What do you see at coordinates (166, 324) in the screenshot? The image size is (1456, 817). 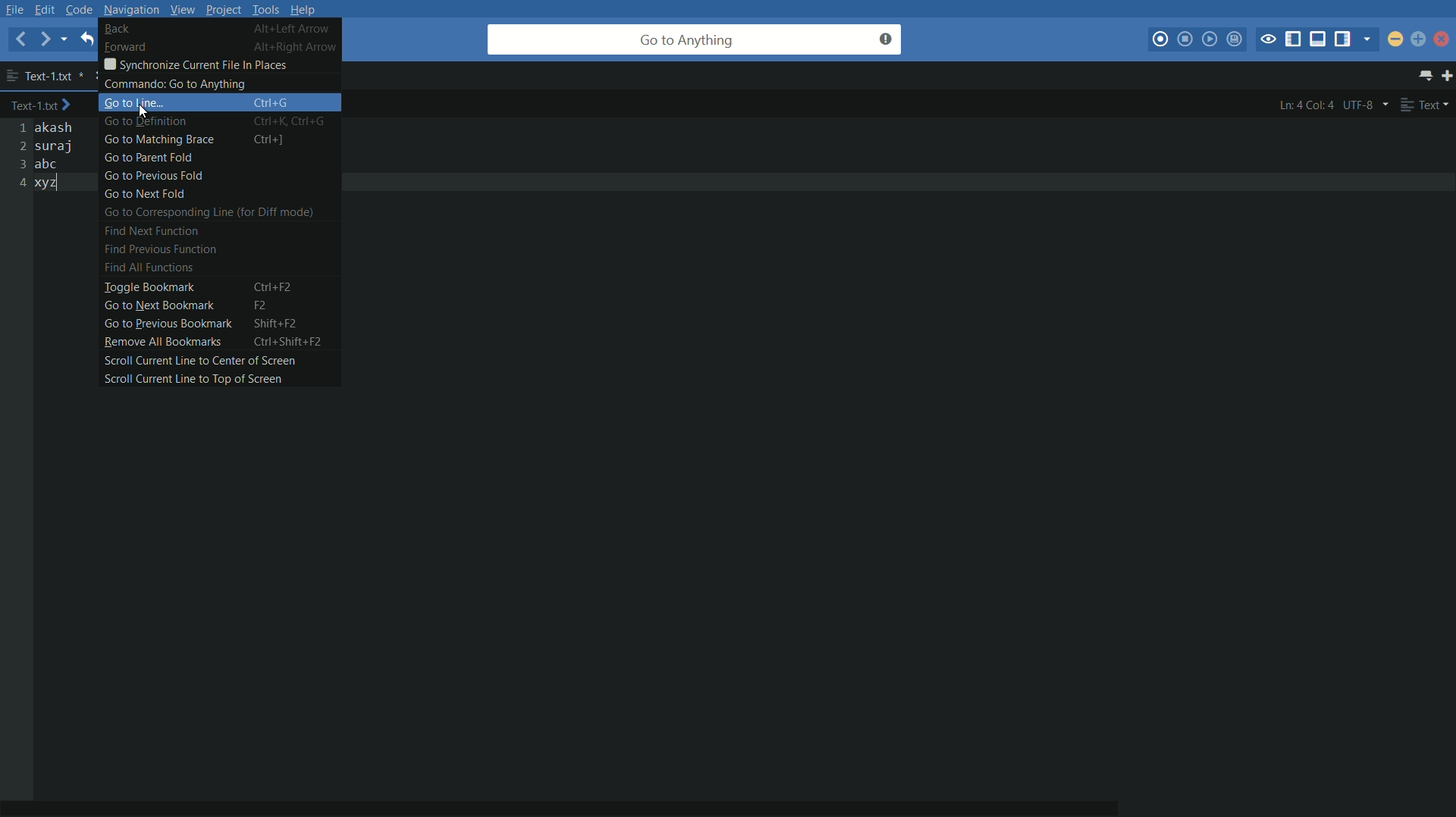 I see `go to previous bookmark` at bounding box center [166, 324].